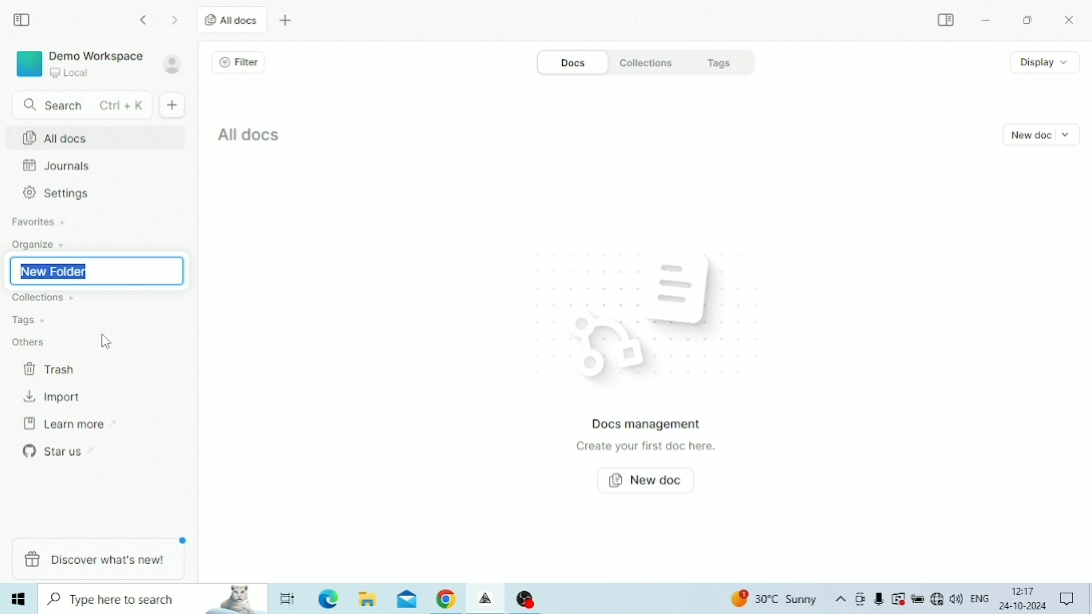 This screenshot has height=614, width=1092. Describe the element at coordinates (979, 597) in the screenshot. I see `Language` at that location.